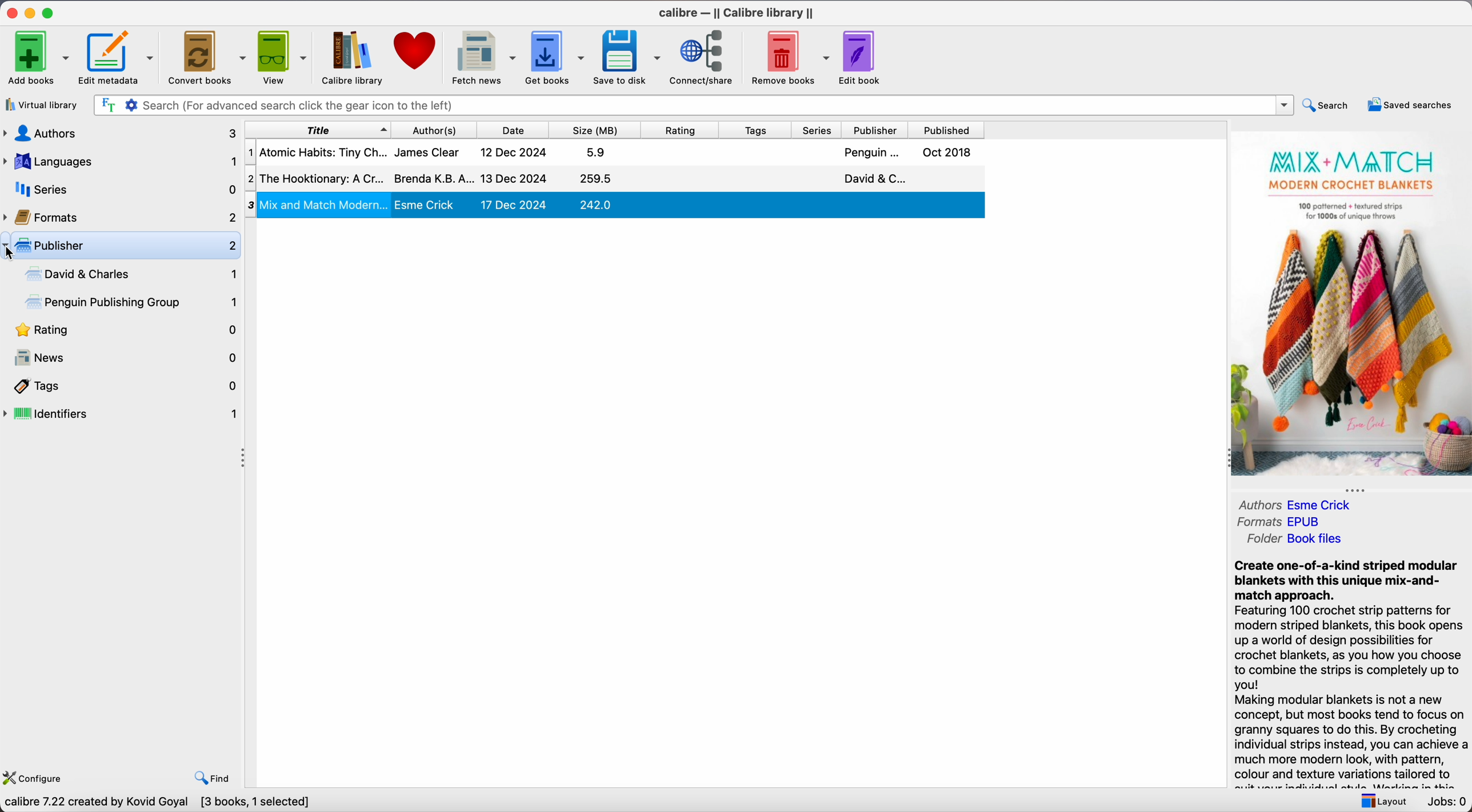 The width and height of the screenshot is (1472, 812). Describe the element at coordinates (353, 59) in the screenshot. I see `Calibre library` at that location.